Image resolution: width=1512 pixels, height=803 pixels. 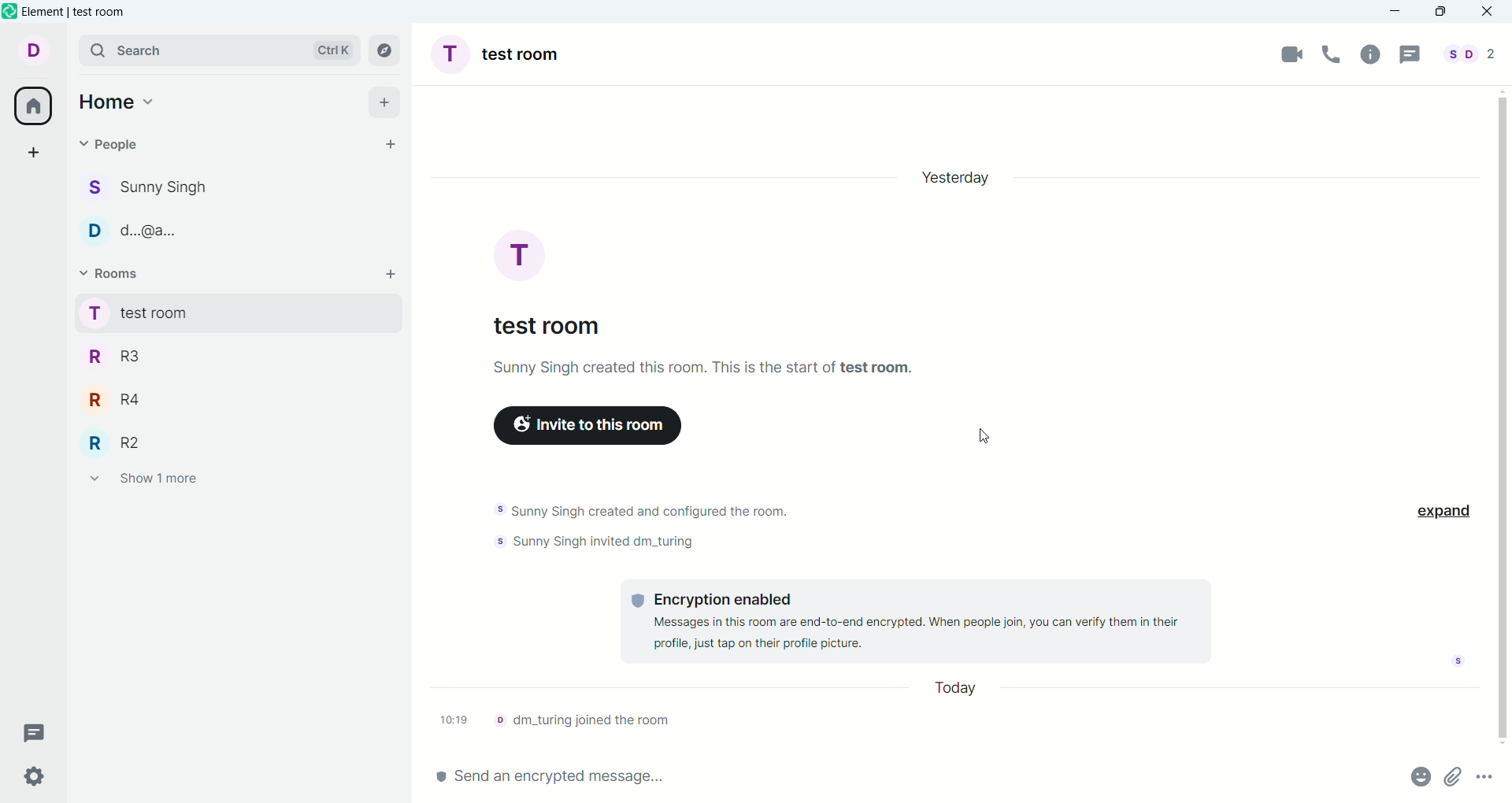 What do you see at coordinates (1440, 13) in the screenshot?
I see `maximize` at bounding box center [1440, 13].